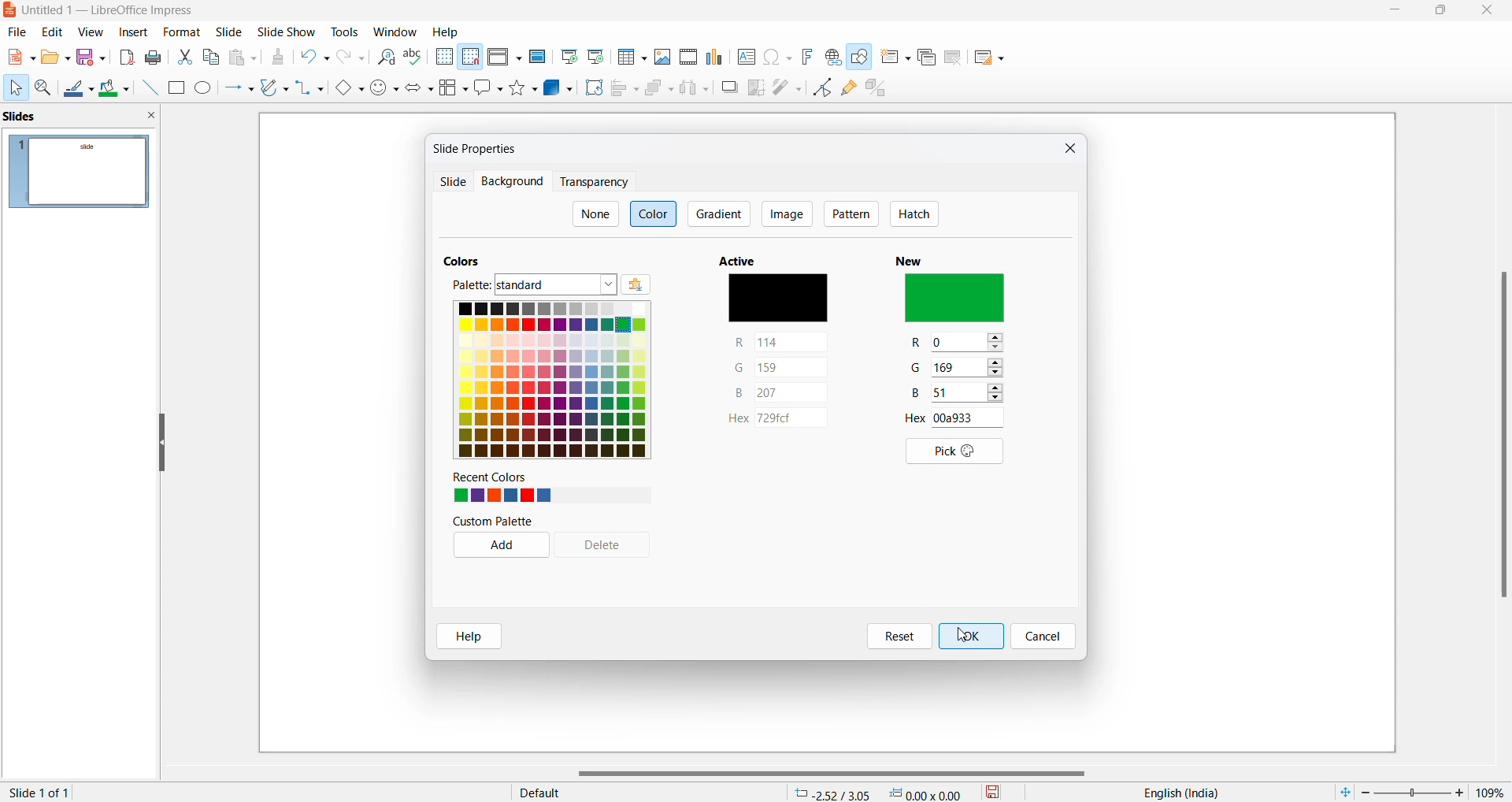 Image resolution: width=1512 pixels, height=802 pixels. I want to click on insert special characters, so click(777, 58).